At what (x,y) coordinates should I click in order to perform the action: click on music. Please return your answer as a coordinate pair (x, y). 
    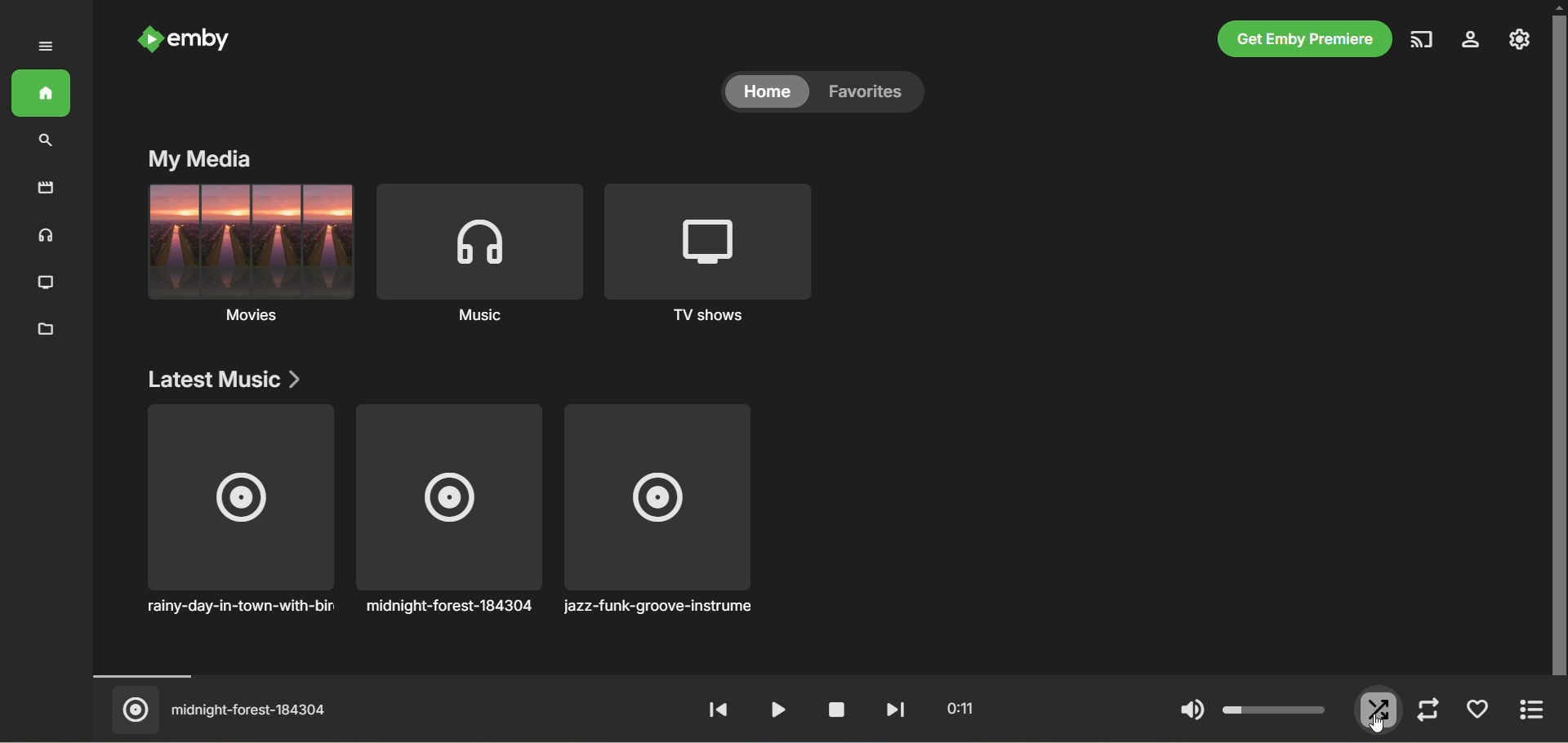
    Looking at the image, I should click on (479, 252).